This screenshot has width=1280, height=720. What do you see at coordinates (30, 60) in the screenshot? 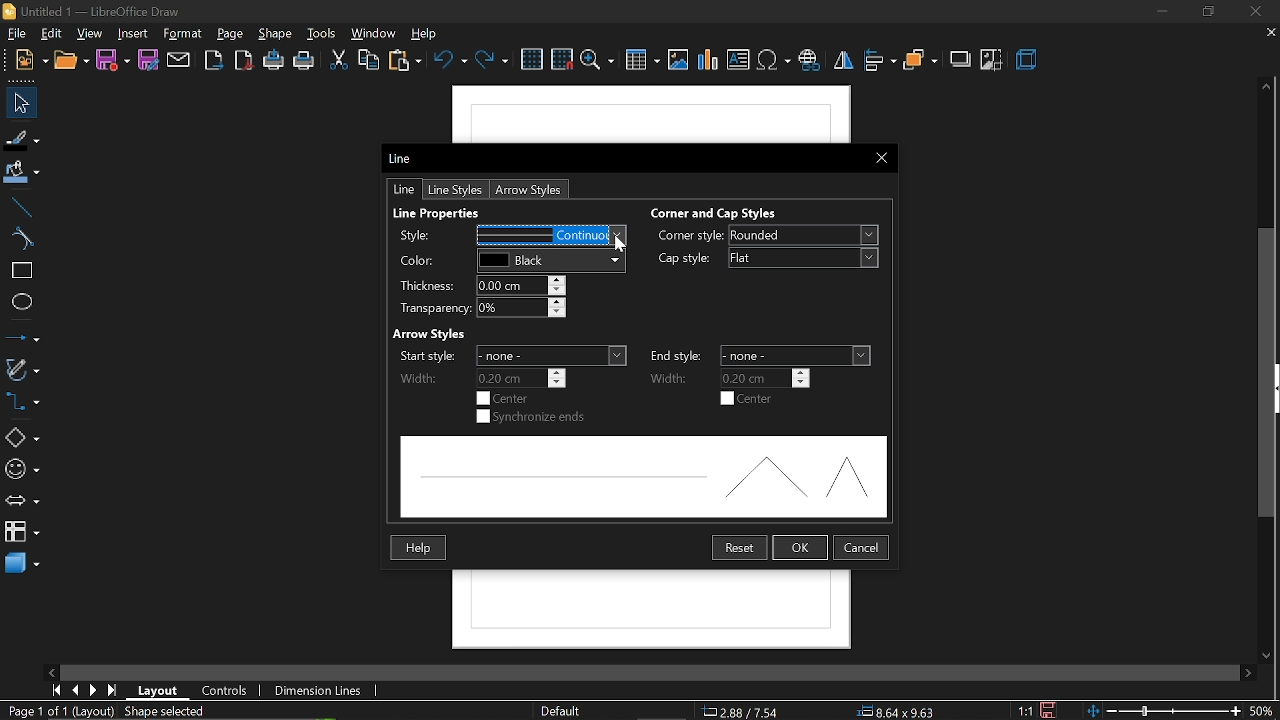
I see `open` at bounding box center [30, 60].